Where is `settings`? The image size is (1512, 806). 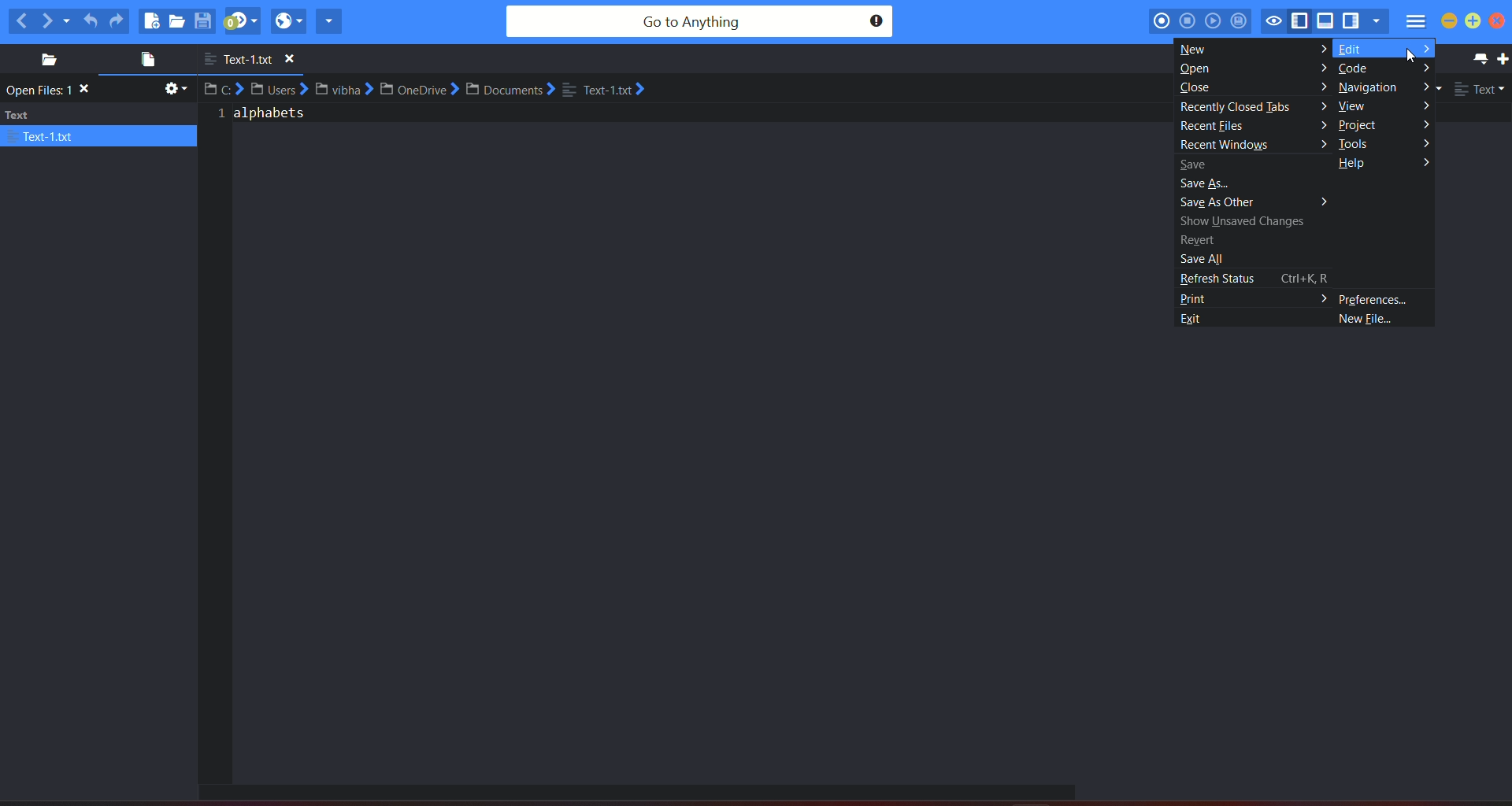
settings is located at coordinates (173, 91).